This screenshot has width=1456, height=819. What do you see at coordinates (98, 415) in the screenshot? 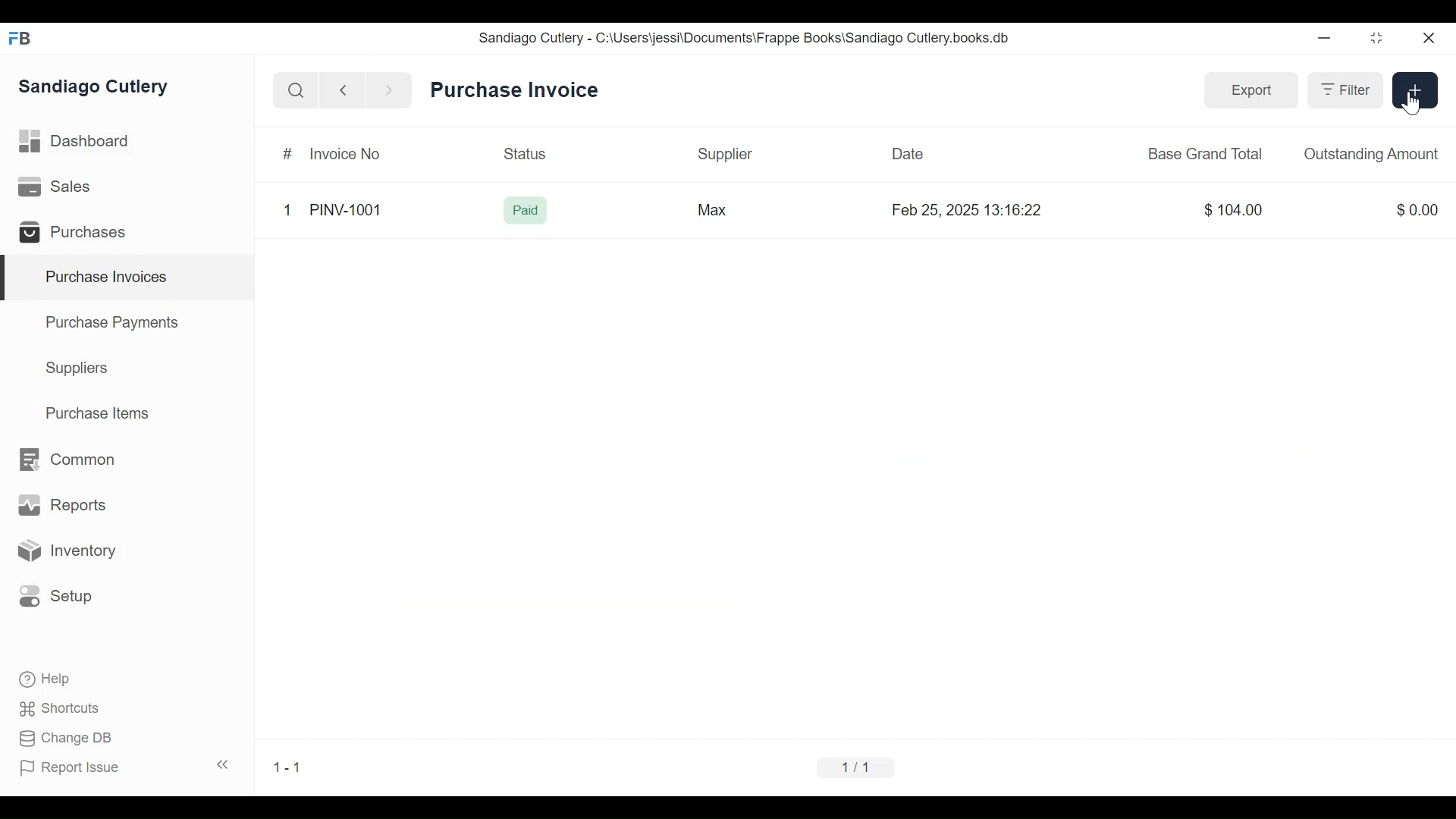
I see `Purchase Items` at bounding box center [98, 415].